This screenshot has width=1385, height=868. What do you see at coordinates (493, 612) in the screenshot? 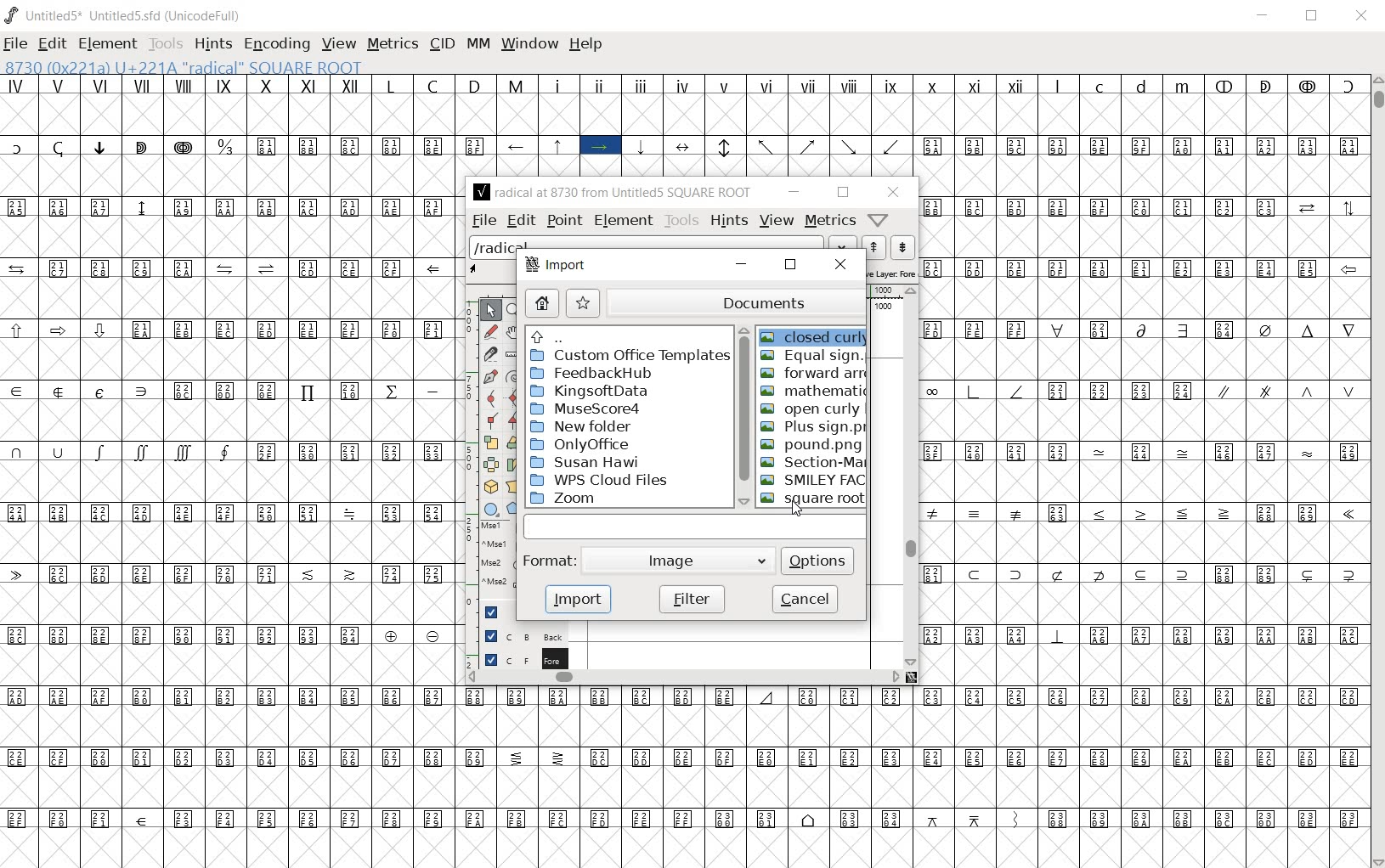
I see `Guide` at bounding box center [493, 612].